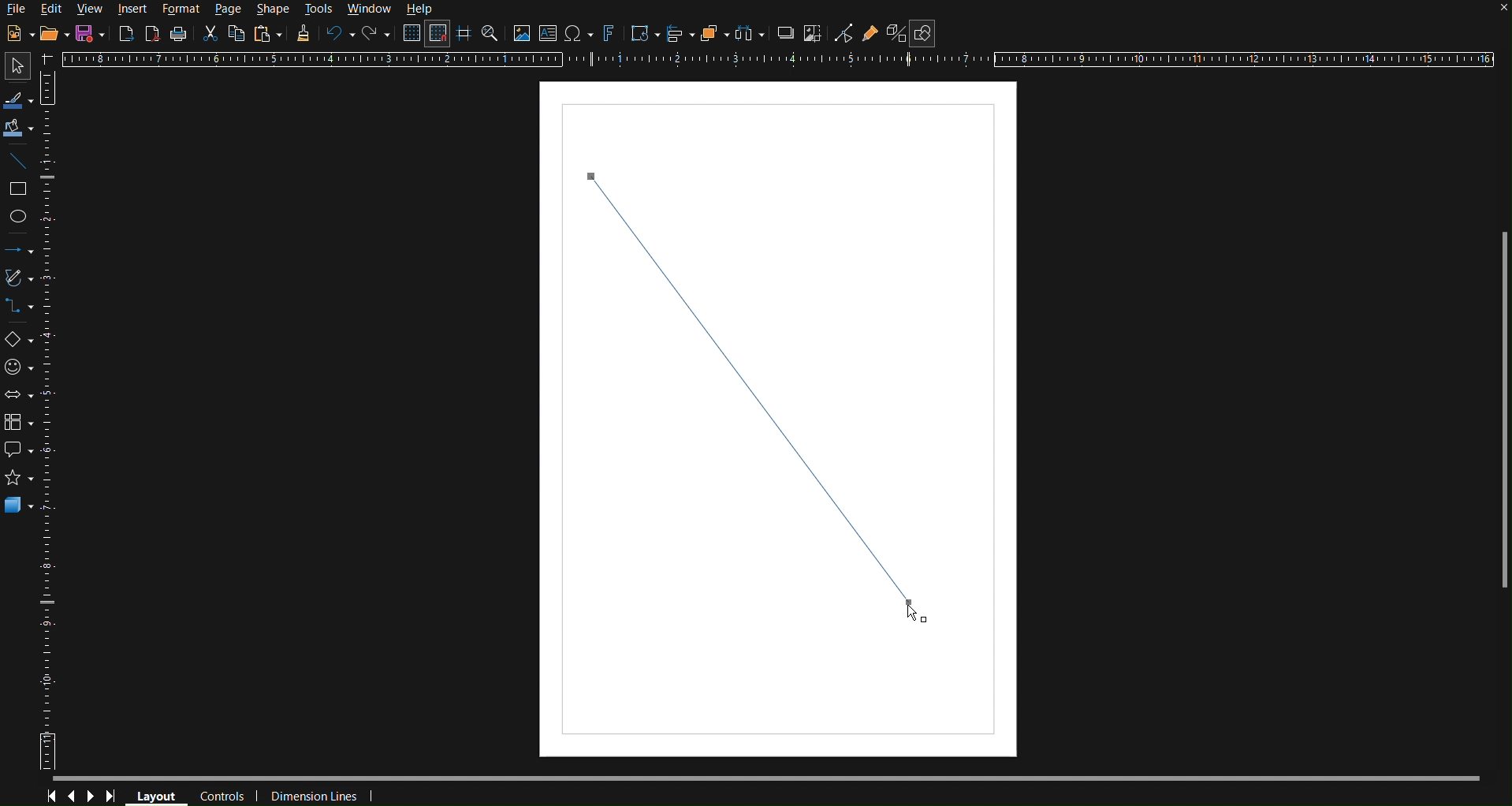 This screenshot has height=806, width=1512. What do you see at coordinates (235, 34) in the screenshot?
I see `Copy` at bounding box center [235, 34].